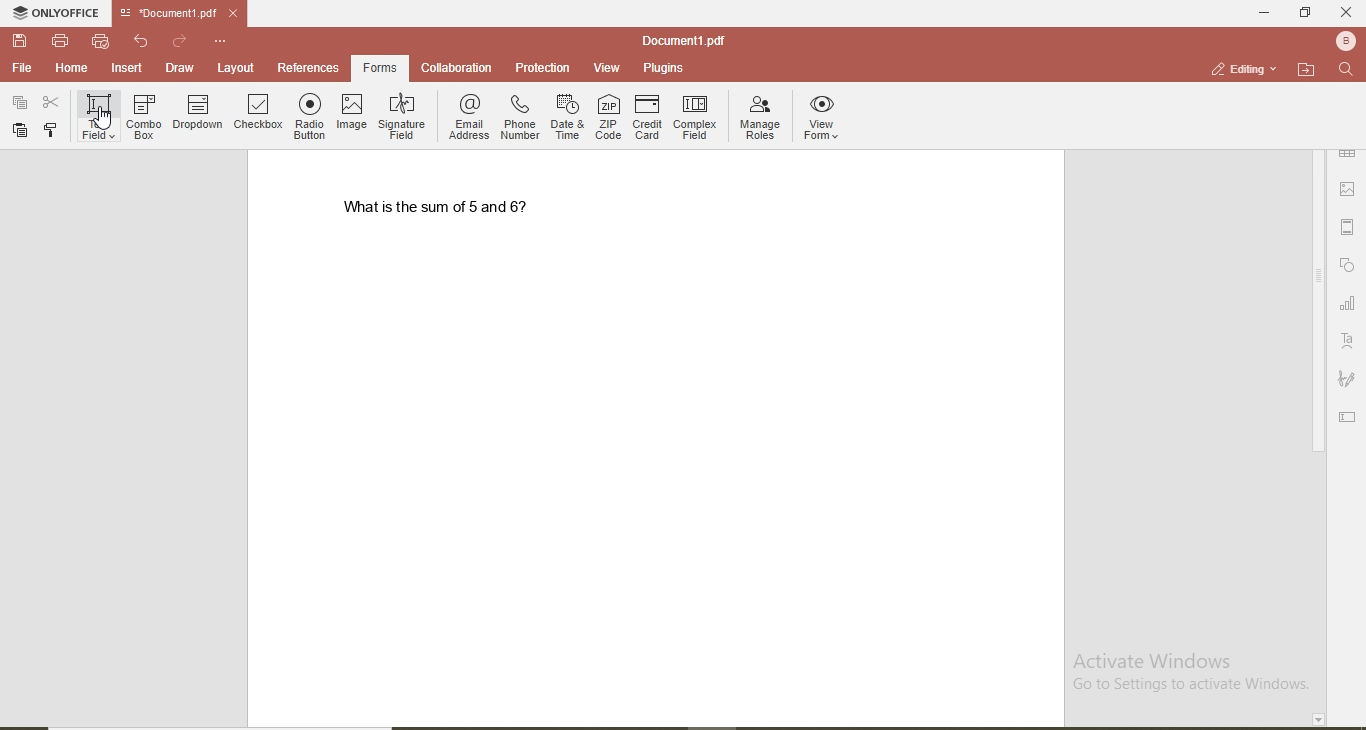 The height and width of the screenshot is (730, 1366). What do you see at coordinates (458, 67) in the screenshot?
I see `collaboration` at bounding box center [458, 67].